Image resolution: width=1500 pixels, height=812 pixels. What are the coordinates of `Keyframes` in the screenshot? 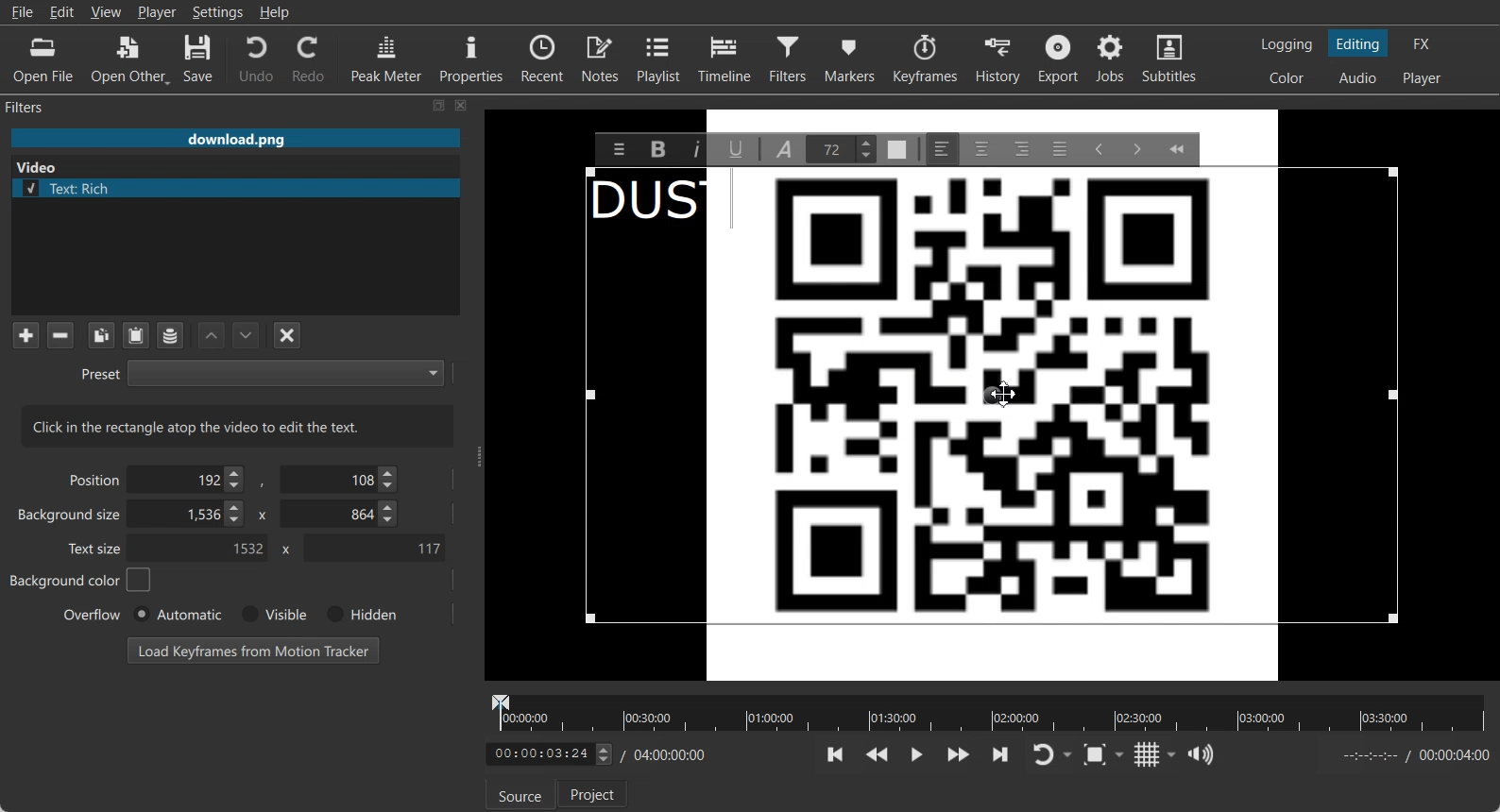 It's located at (925, 58).